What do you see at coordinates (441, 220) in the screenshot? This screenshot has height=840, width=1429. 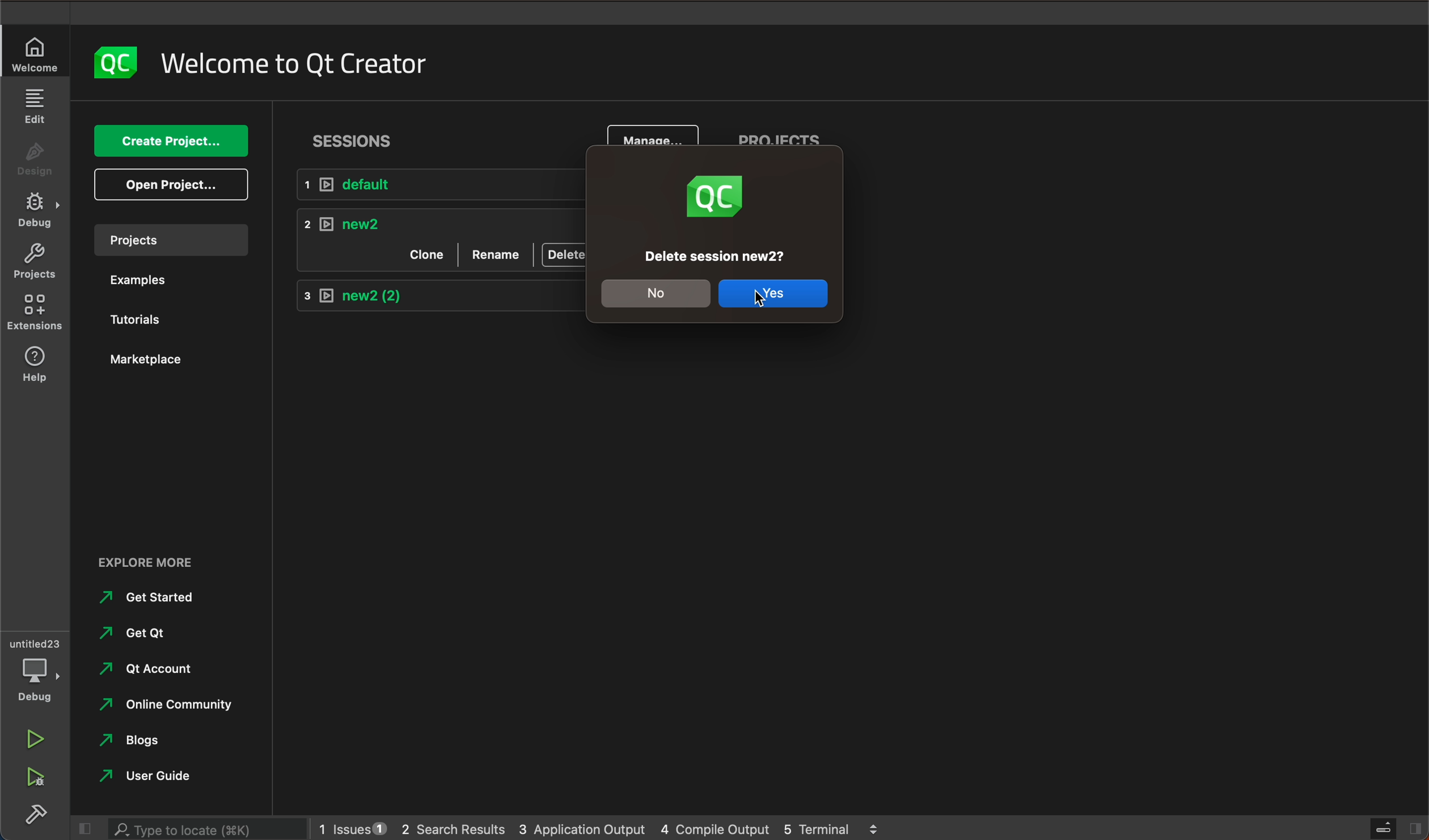 I see `new2` at bounding box center [441, 220].